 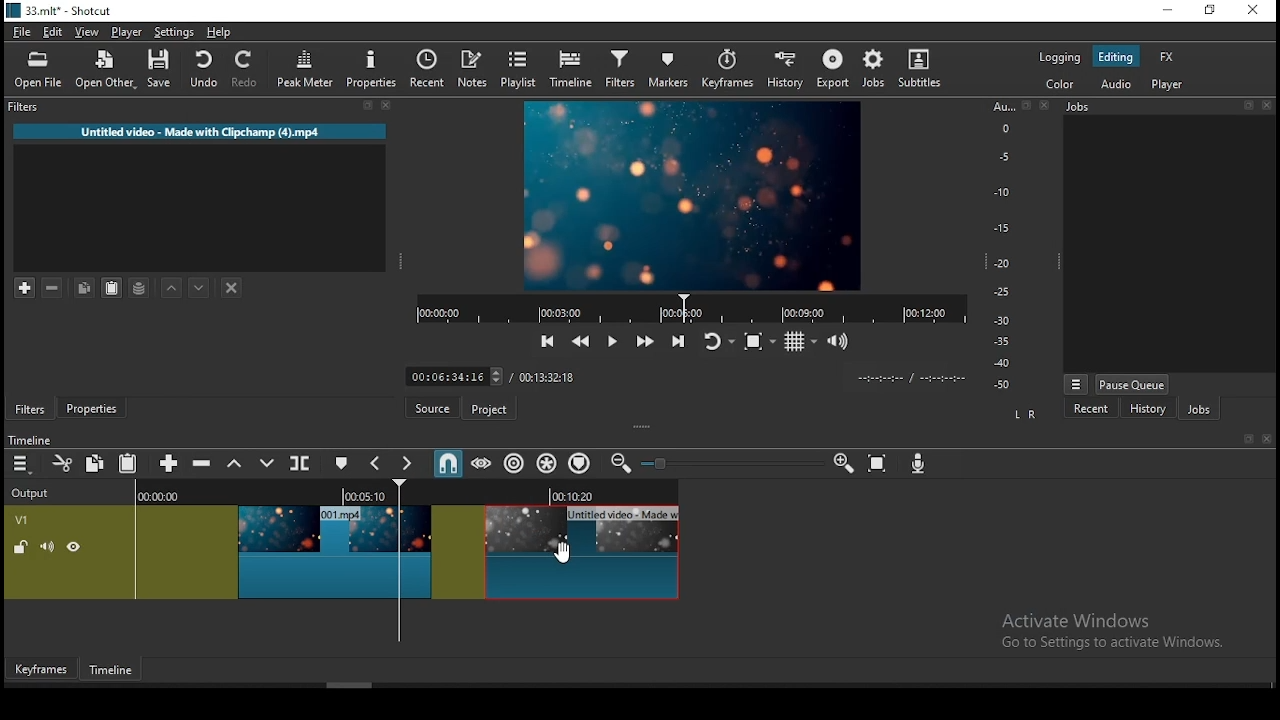 What do you see at coordinates (643, 342) in the screenshot?
I see `play quickly forward` at bounding box center [643, 342].